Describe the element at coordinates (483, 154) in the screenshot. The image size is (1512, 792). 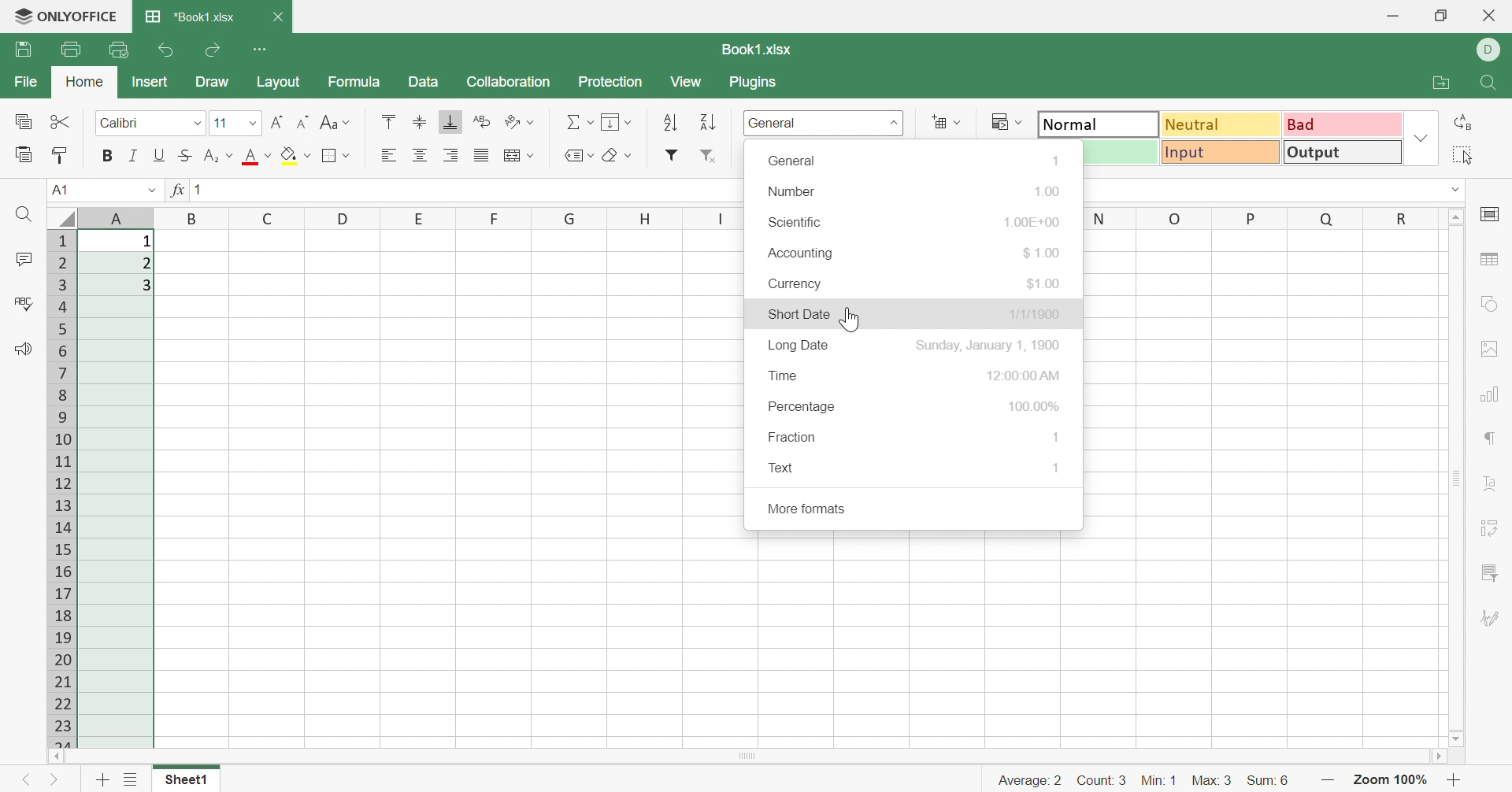
I see `Justified` at that location.